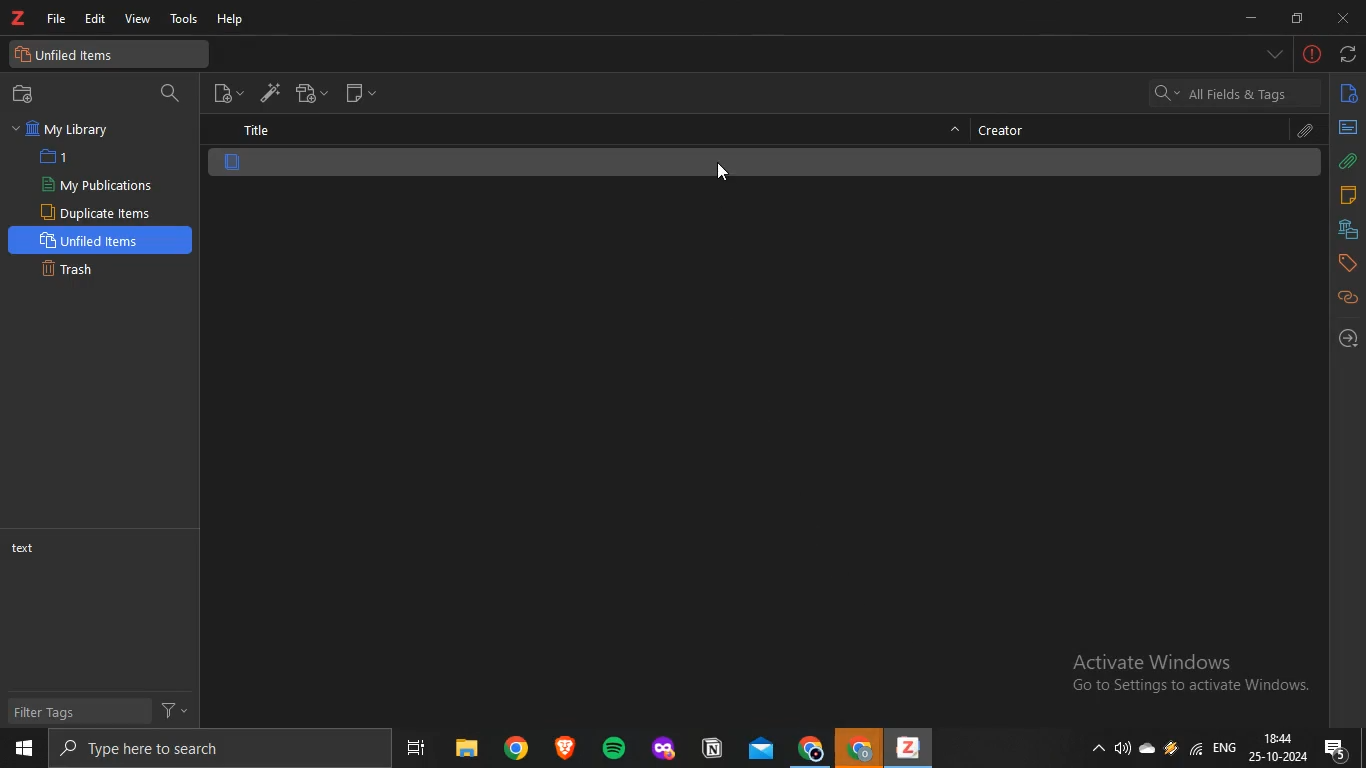  Describe the element at coordinates (102, 240) in the screenshot. I see `unfiled items` at that location.